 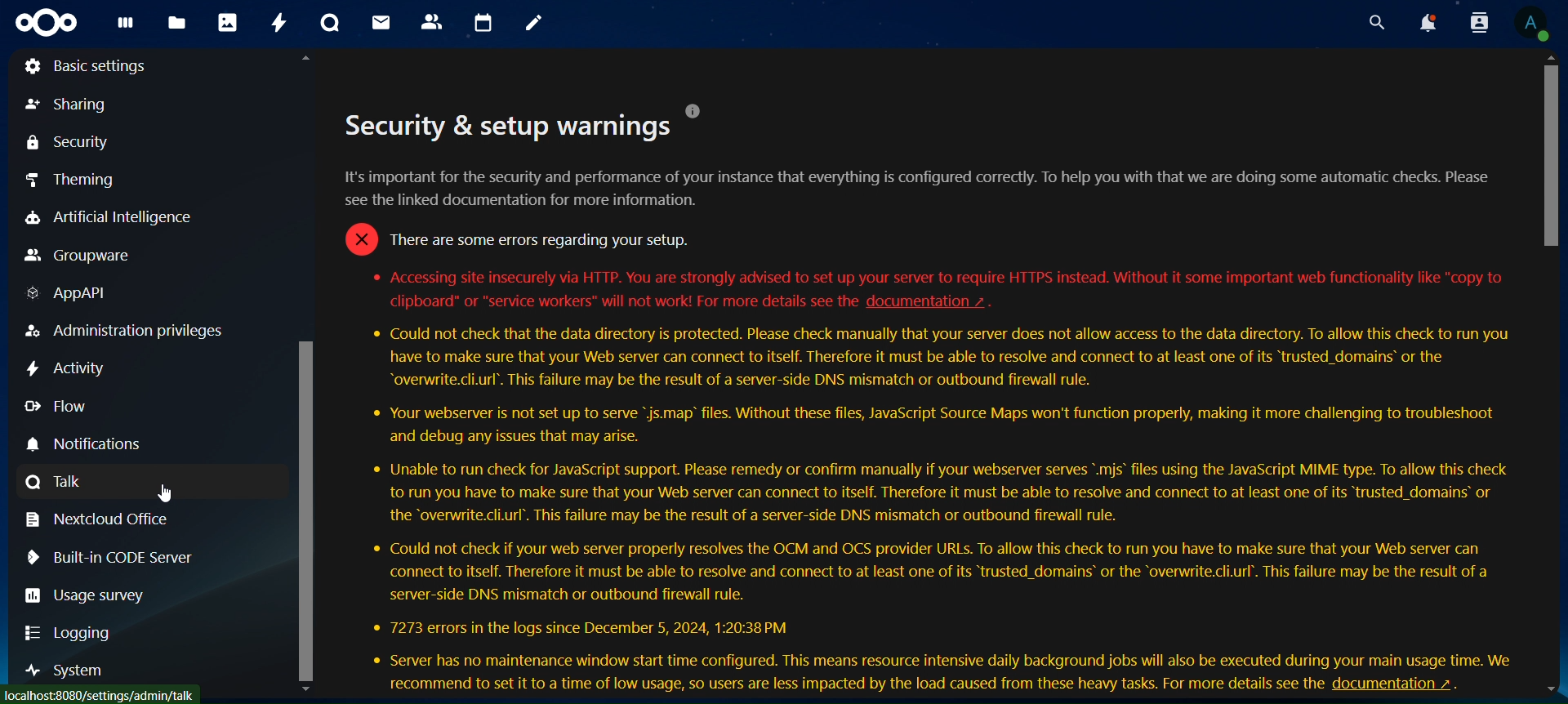 What do you see at coordinates (281, 25) in the screenshot?
I see `activity` at bounding box center [281, 25].